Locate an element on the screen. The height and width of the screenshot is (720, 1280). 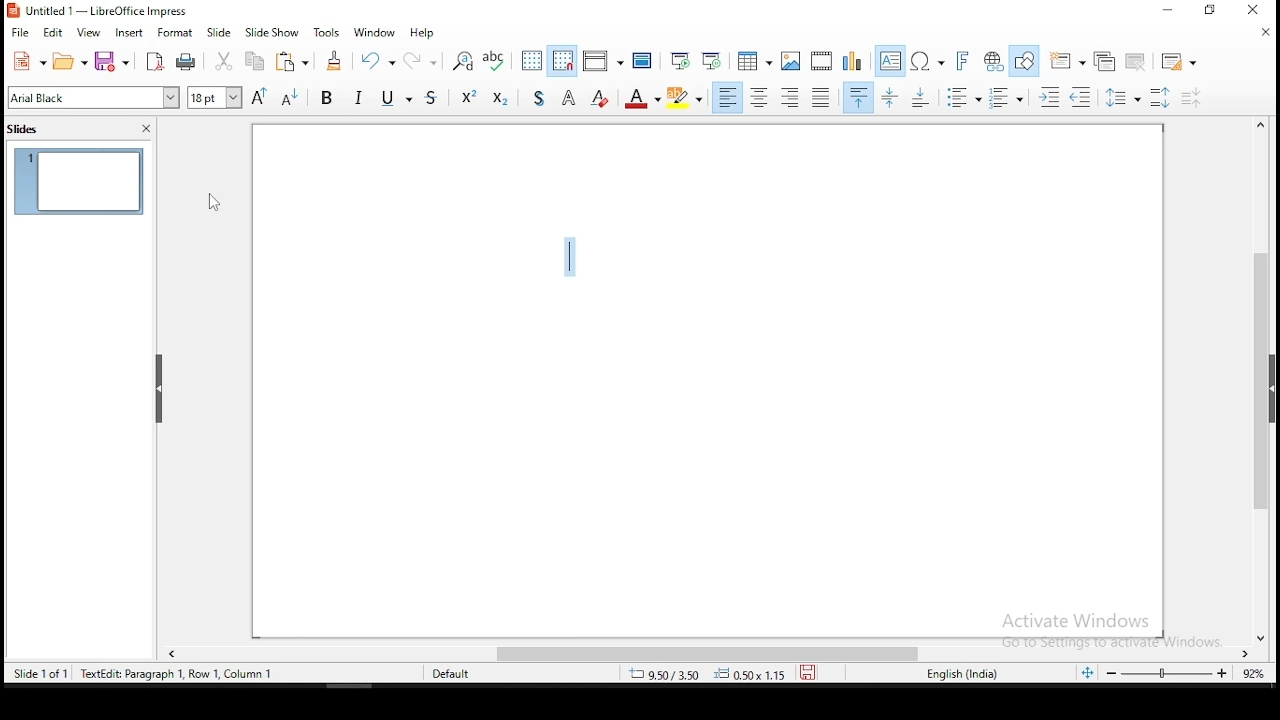
insert is located at coordinates (128, 34).